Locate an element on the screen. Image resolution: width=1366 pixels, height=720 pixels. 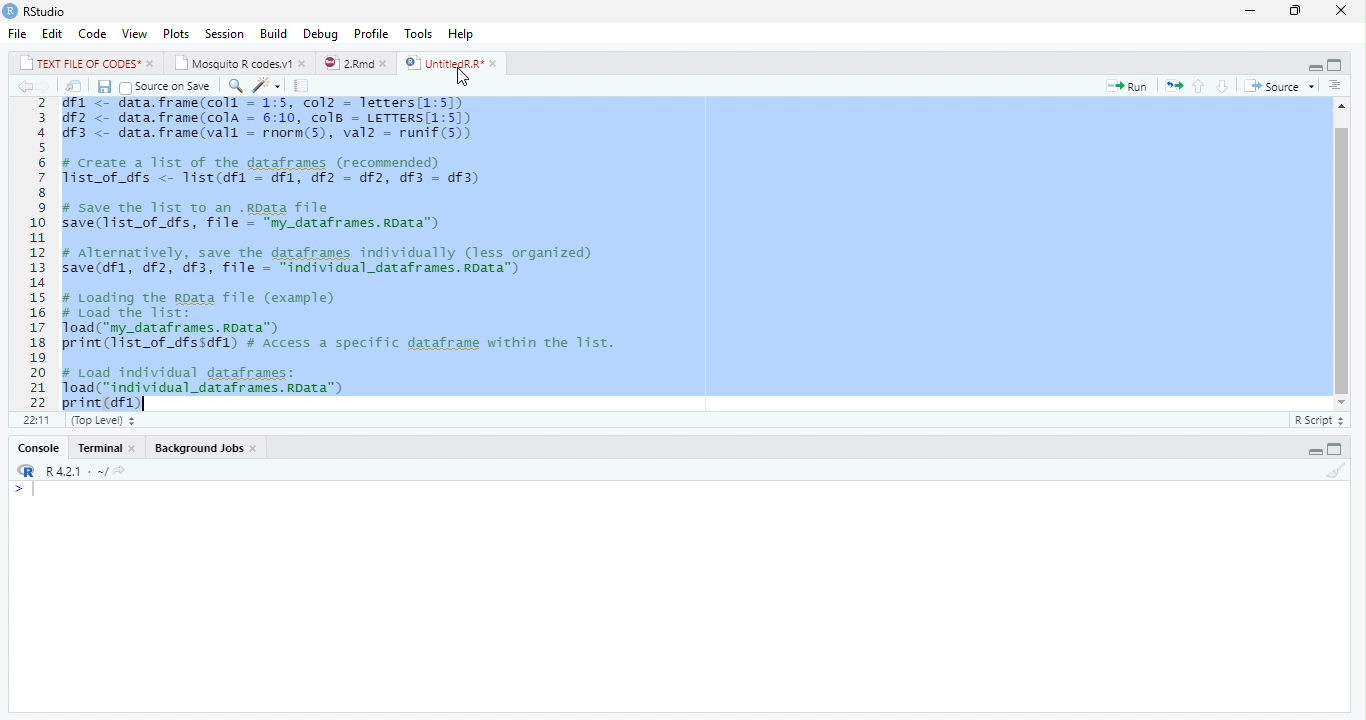
Full Height is located at coordinates (1338, 64).